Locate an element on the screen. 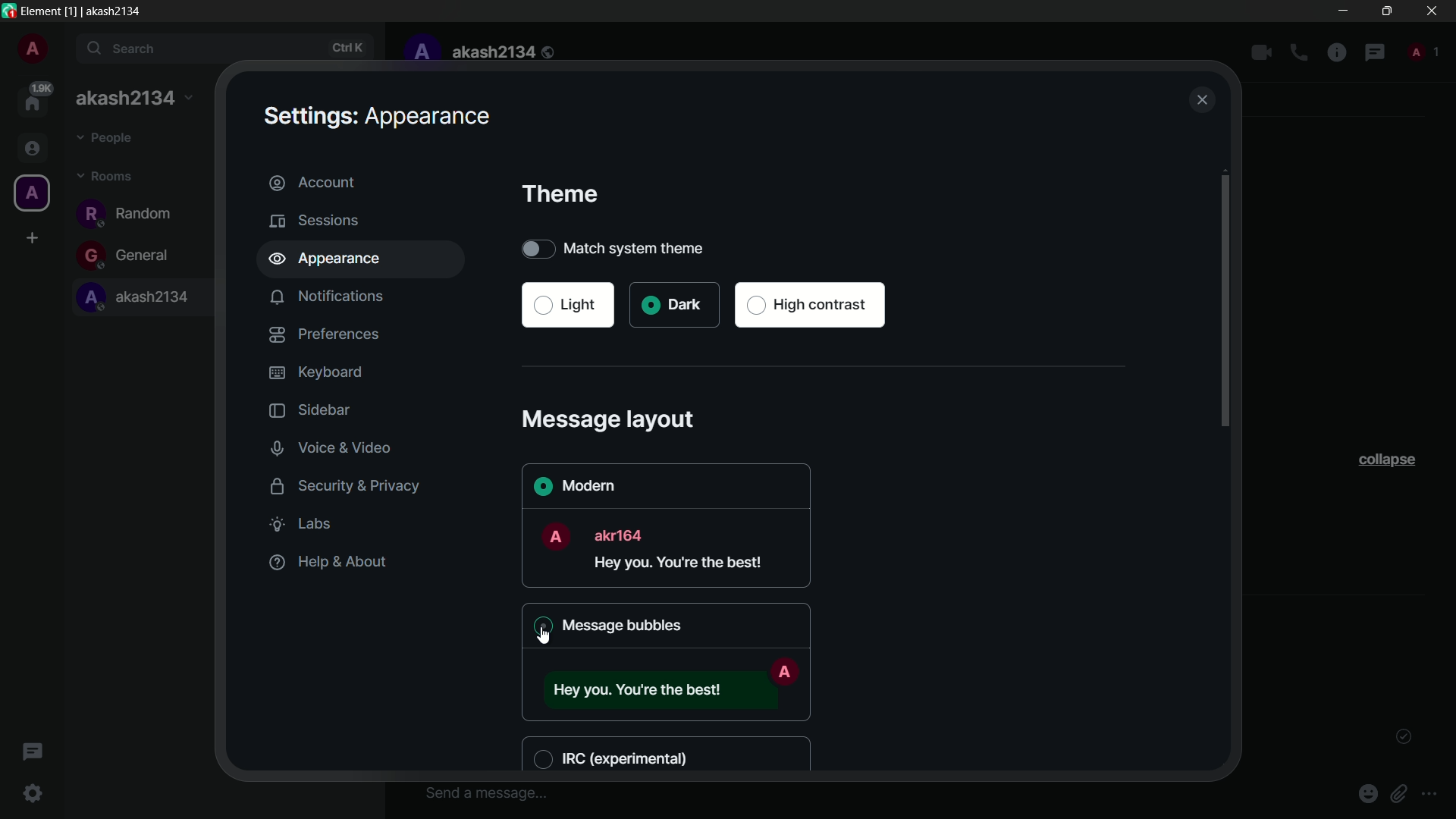 Image resolution: width=1456 pixels, height=819 pixels. message layout is located at coordinates (611, 419).